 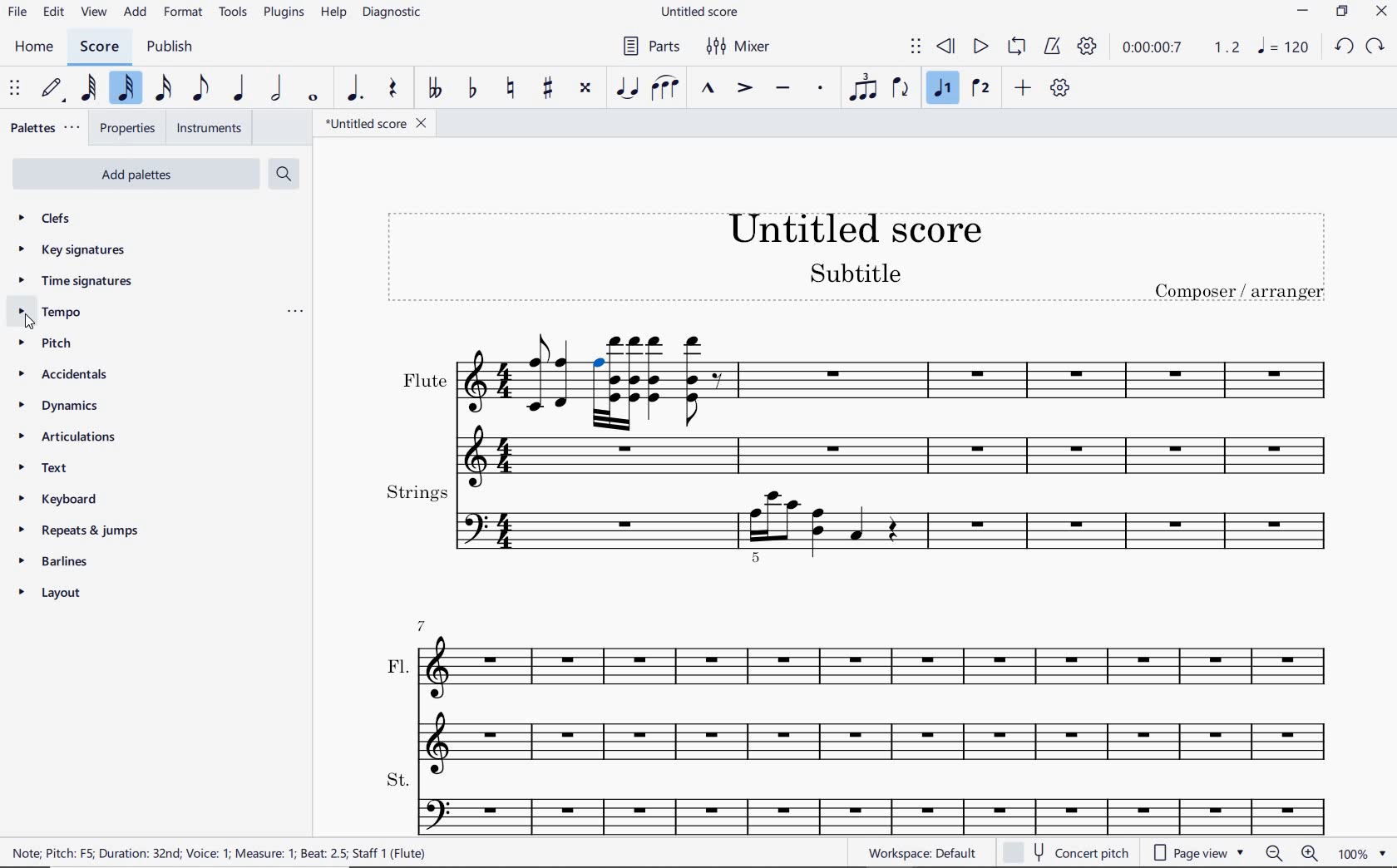 I want to click on LOOP PLAYBACK, so click(x=1017, y=47).